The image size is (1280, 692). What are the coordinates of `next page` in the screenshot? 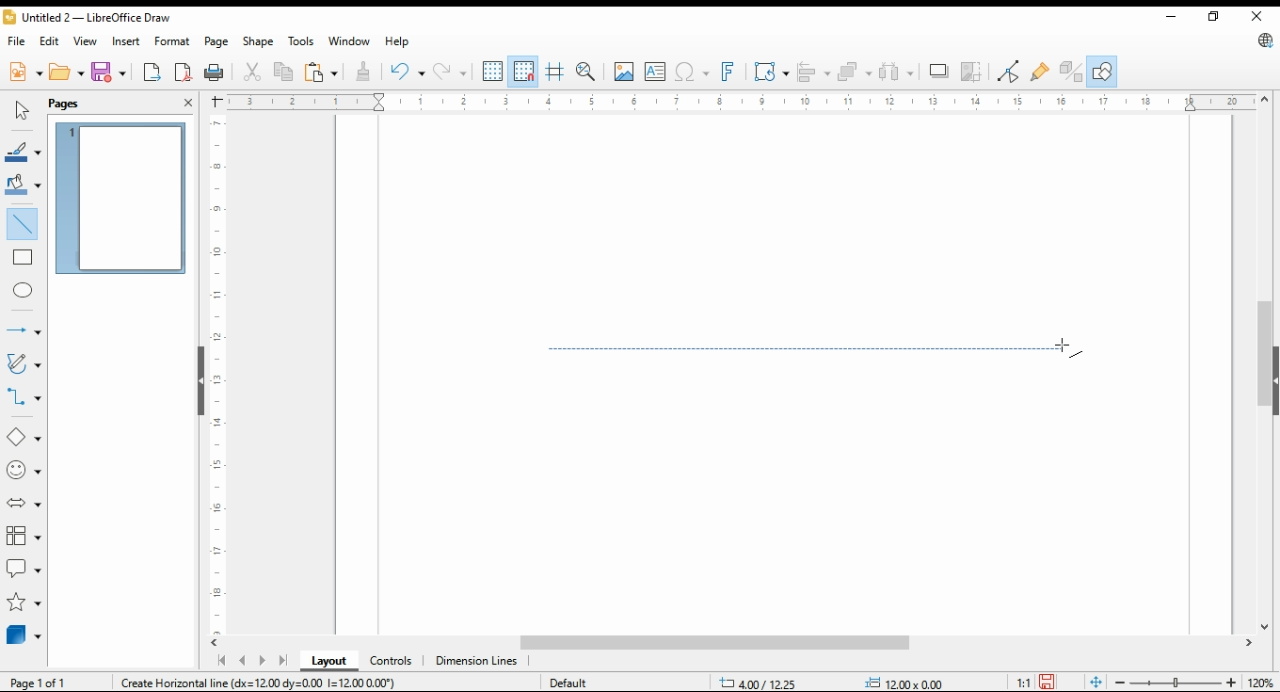 It's located at (261, 661).